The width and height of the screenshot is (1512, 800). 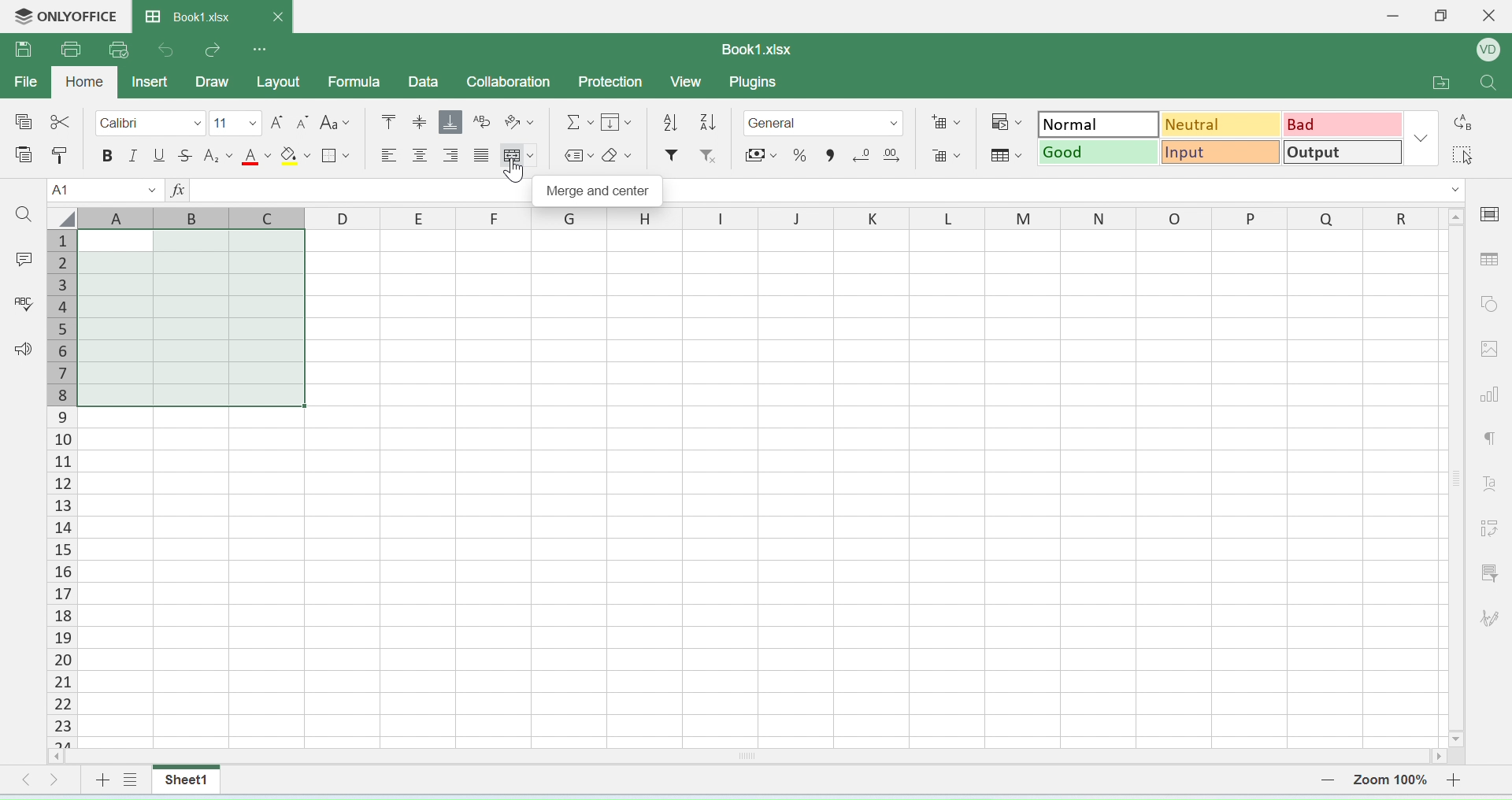 I want to click on chart, so click(x=1492, y=392).